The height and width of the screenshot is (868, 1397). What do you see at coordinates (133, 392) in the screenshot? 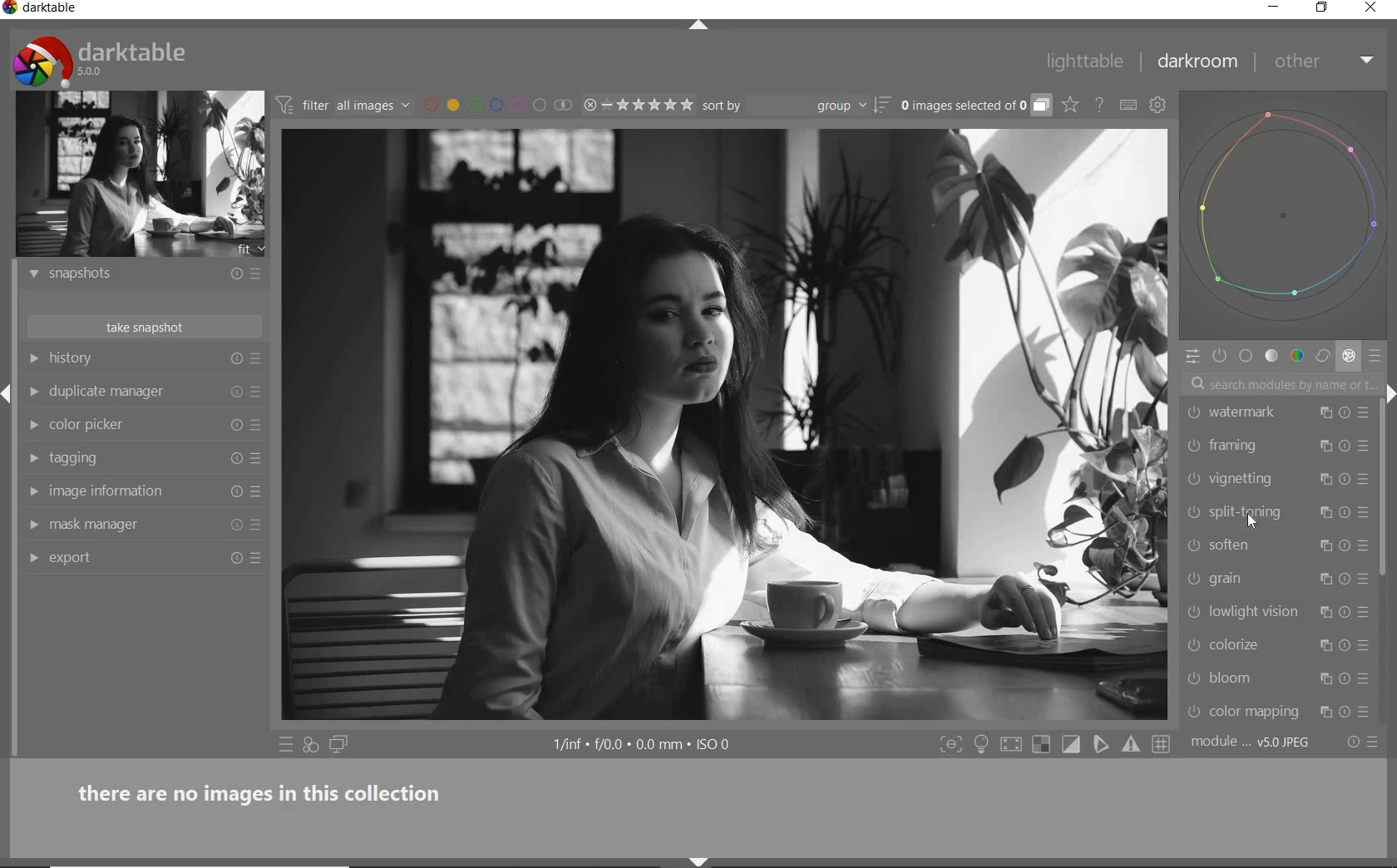
I see `duplicate manager` at bounding box center [133, 392].